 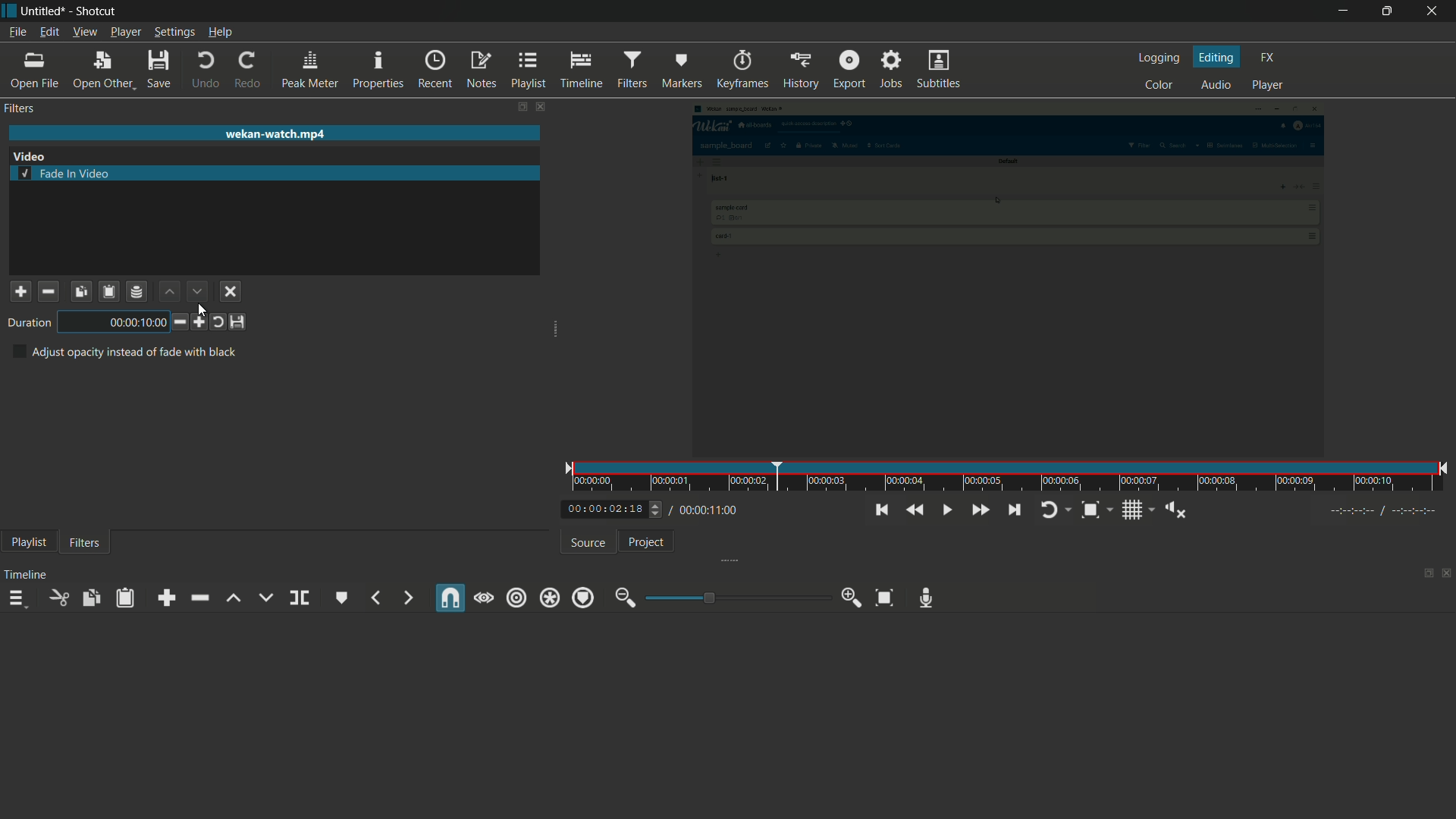 I want to click on project name, so click(x=40, y=11).